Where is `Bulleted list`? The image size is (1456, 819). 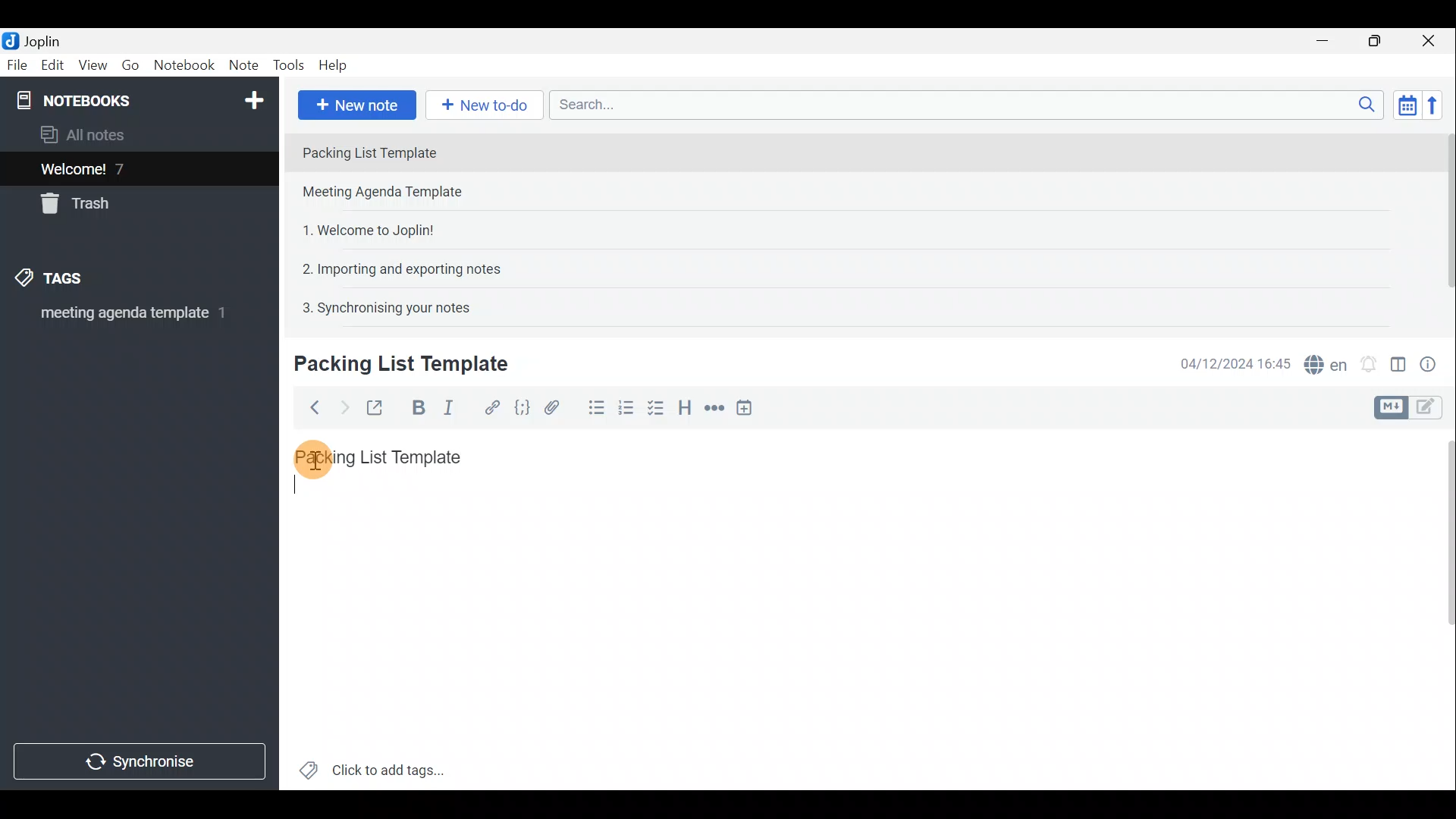 Bulleted list is located at coordinates (593, 410).